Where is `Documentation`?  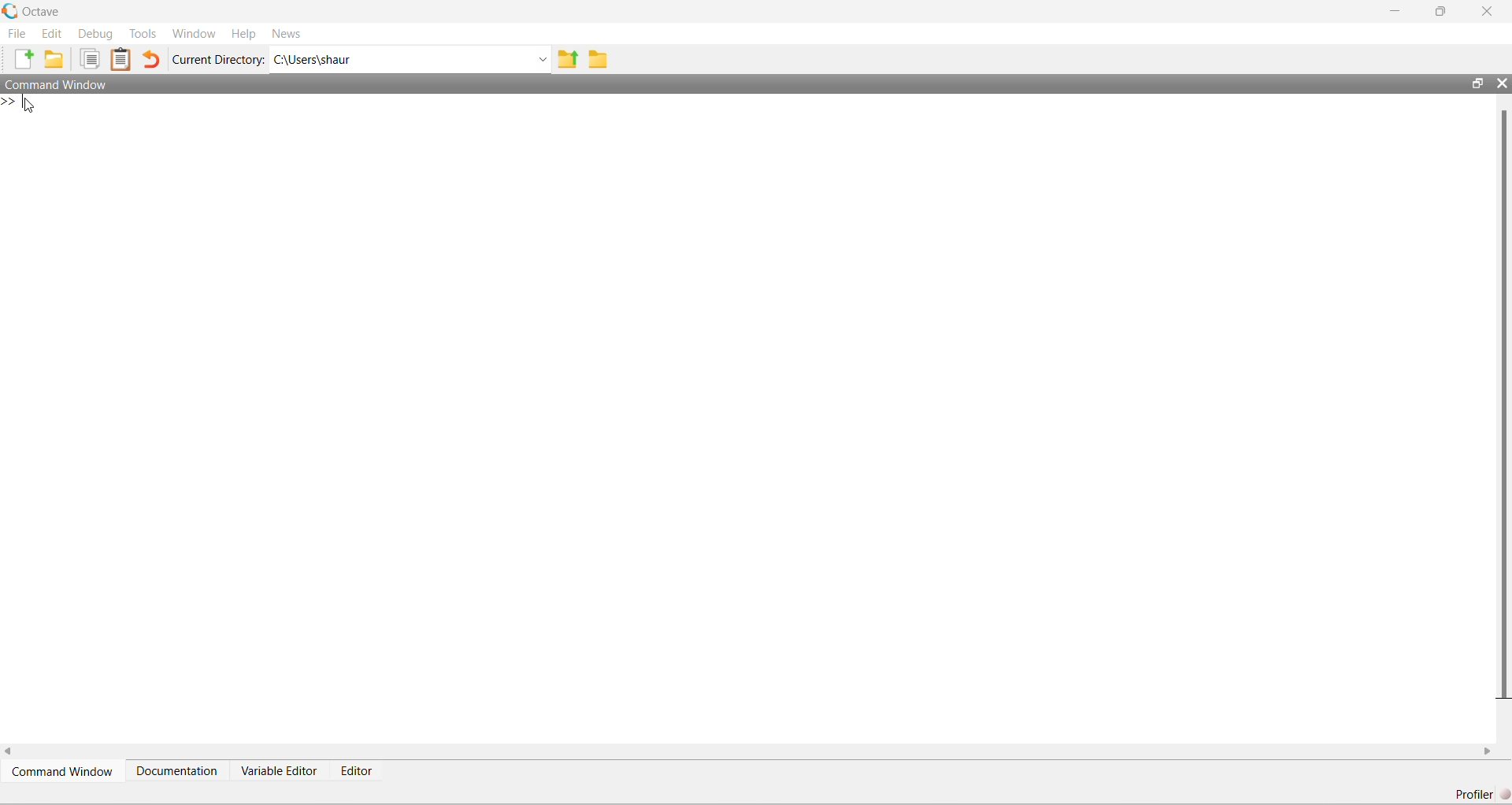
Documentation is located at coordinates (176, 770).